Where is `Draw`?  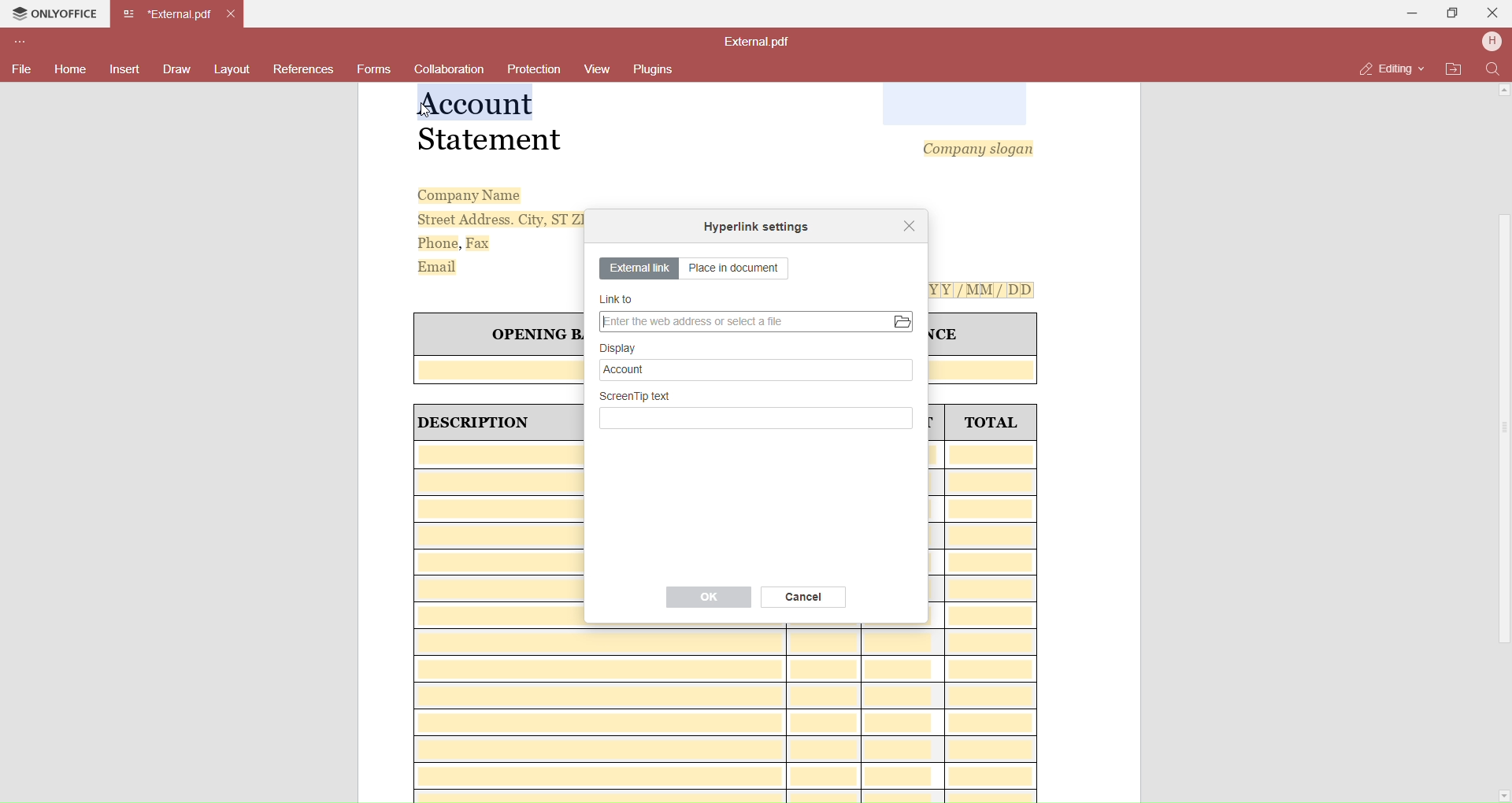 Draw is located at coordinates (178, 68).